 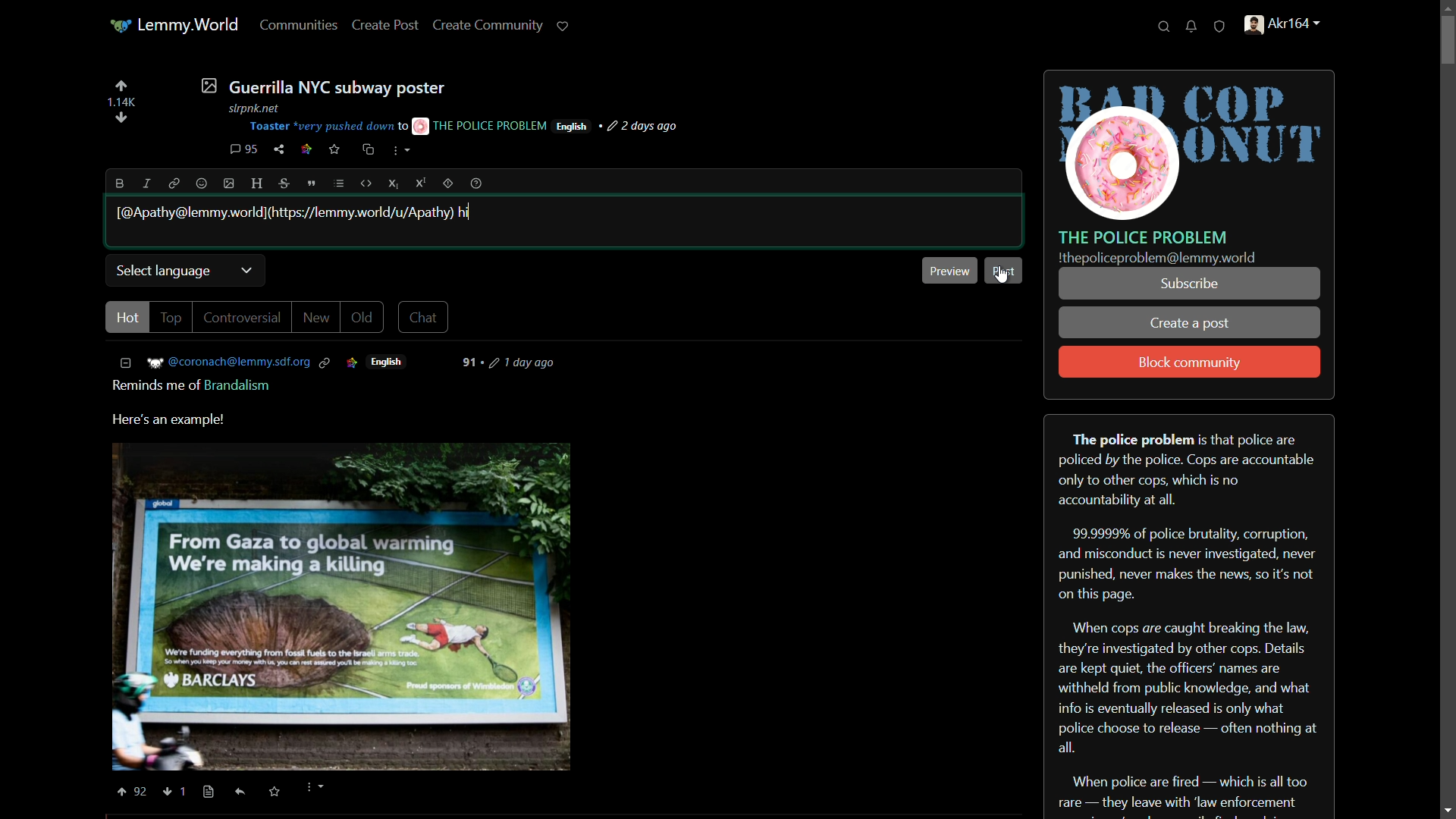 I want to click on language, so click(x=572, y=127).